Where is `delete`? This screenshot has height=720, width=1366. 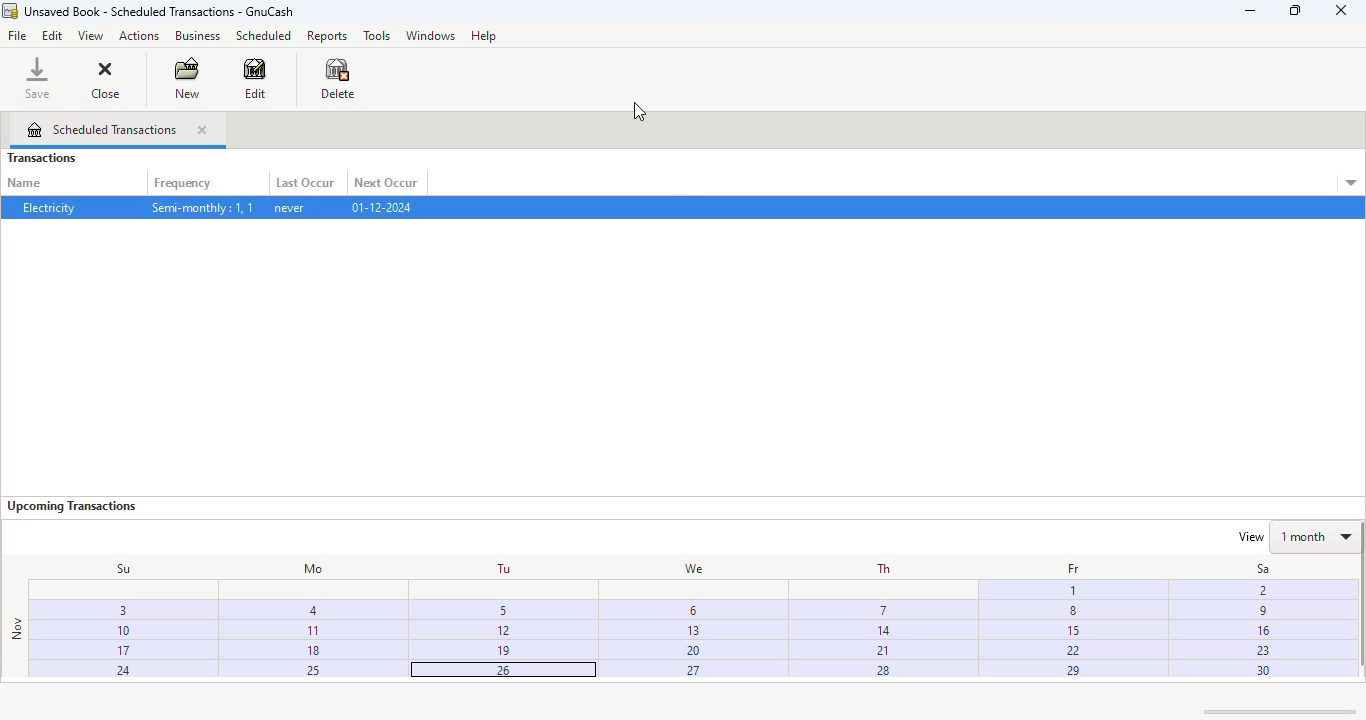
delete is located at coordinates (339, 78).